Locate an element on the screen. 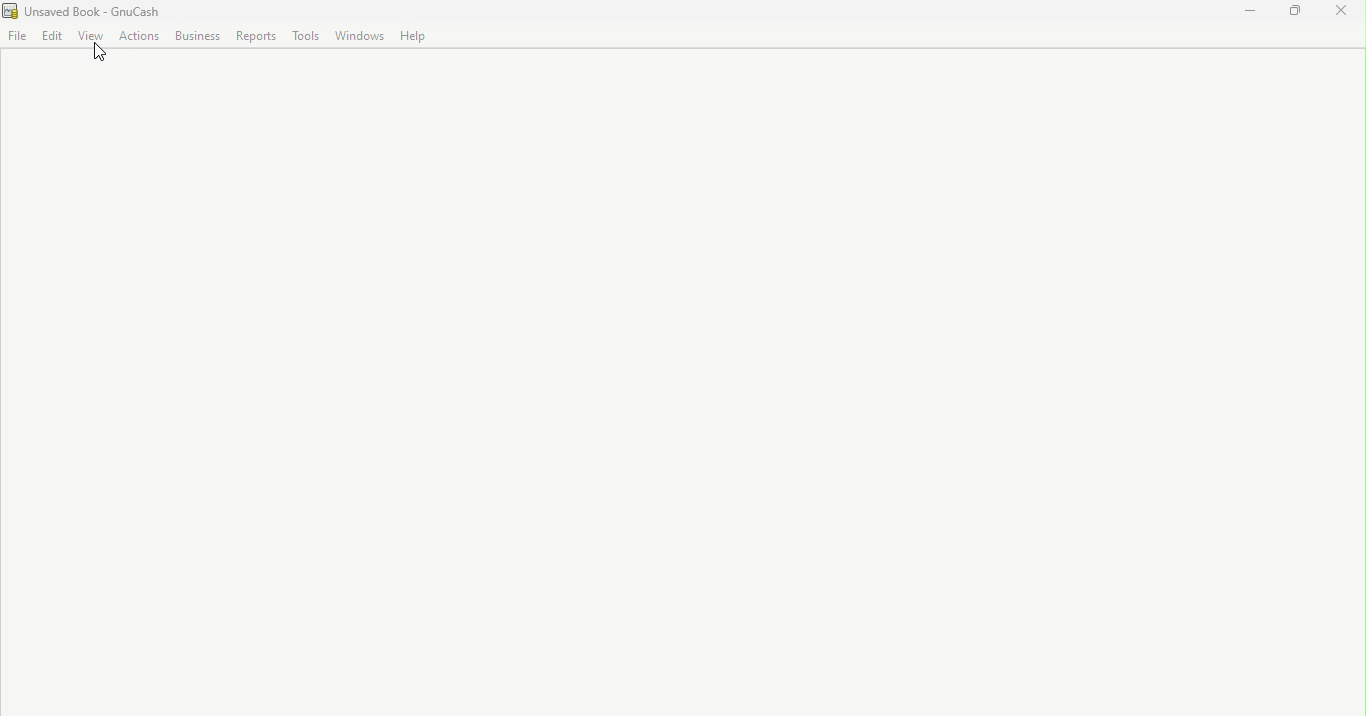  Cursor is located at coordinates (100, 58).